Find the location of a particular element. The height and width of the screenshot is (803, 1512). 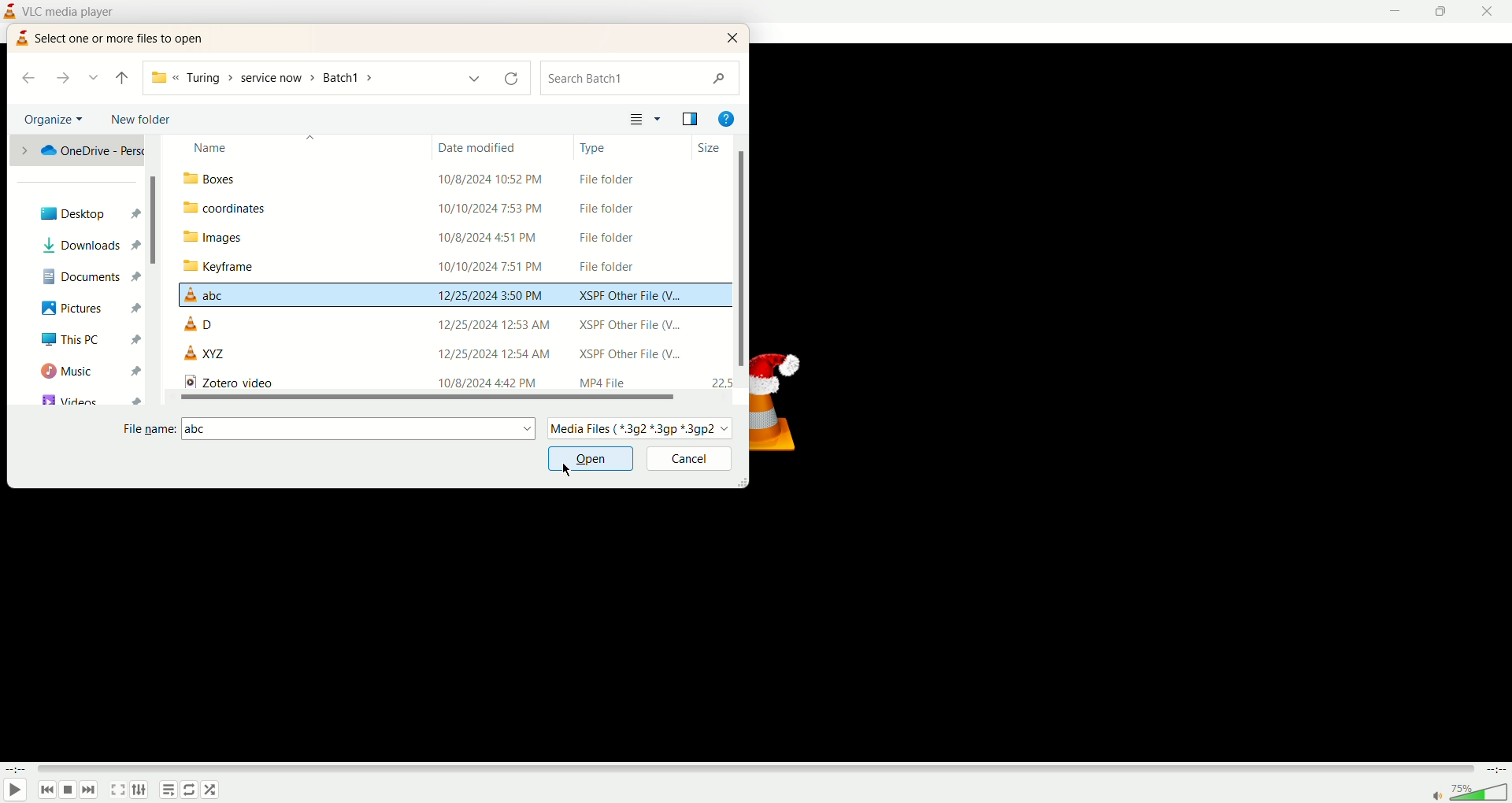

folder is located at coordinates (454, 176).